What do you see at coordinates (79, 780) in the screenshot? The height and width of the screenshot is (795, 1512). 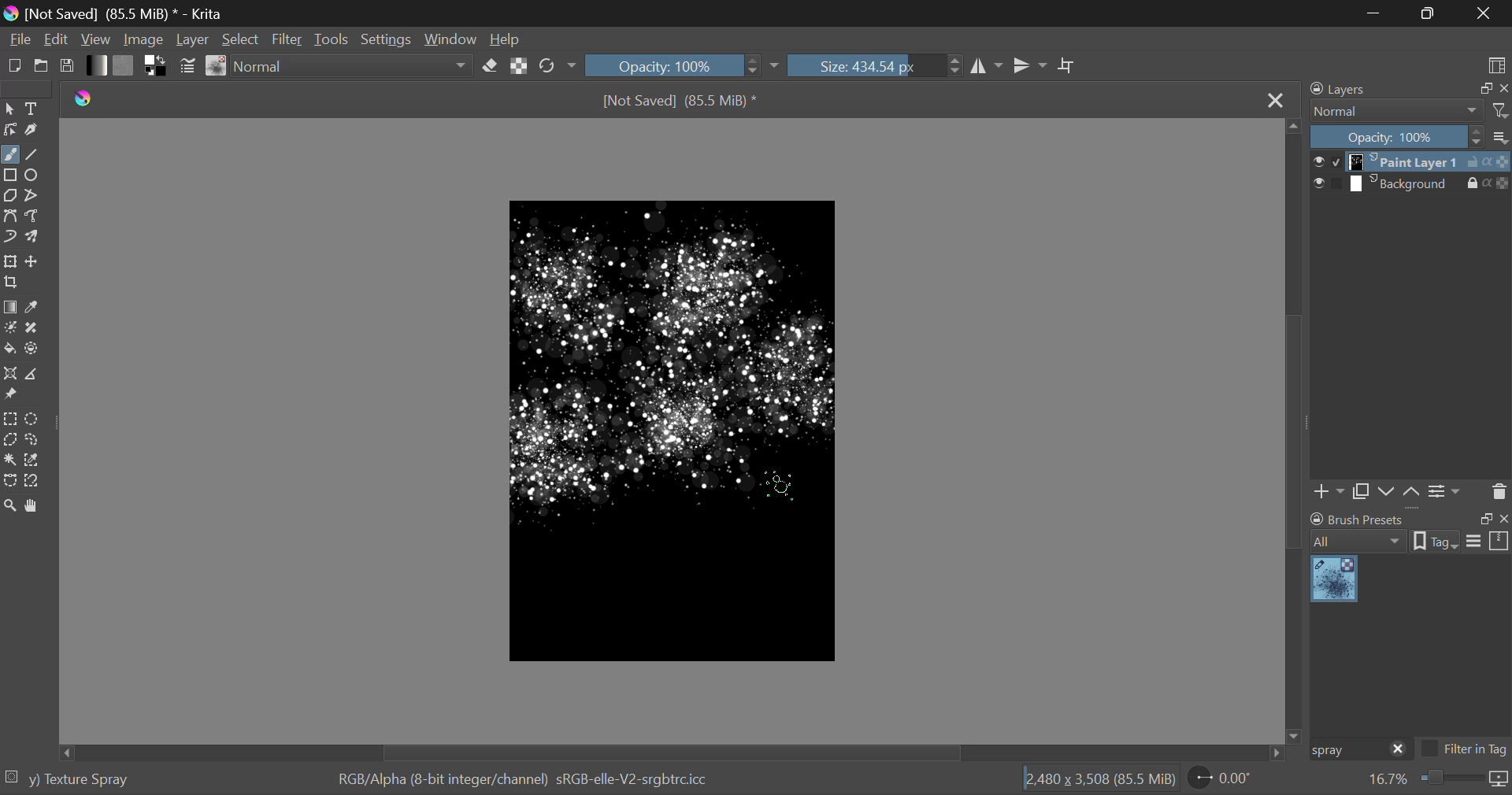 I see `y) Texture Spray` at bounding box center [79, 780].